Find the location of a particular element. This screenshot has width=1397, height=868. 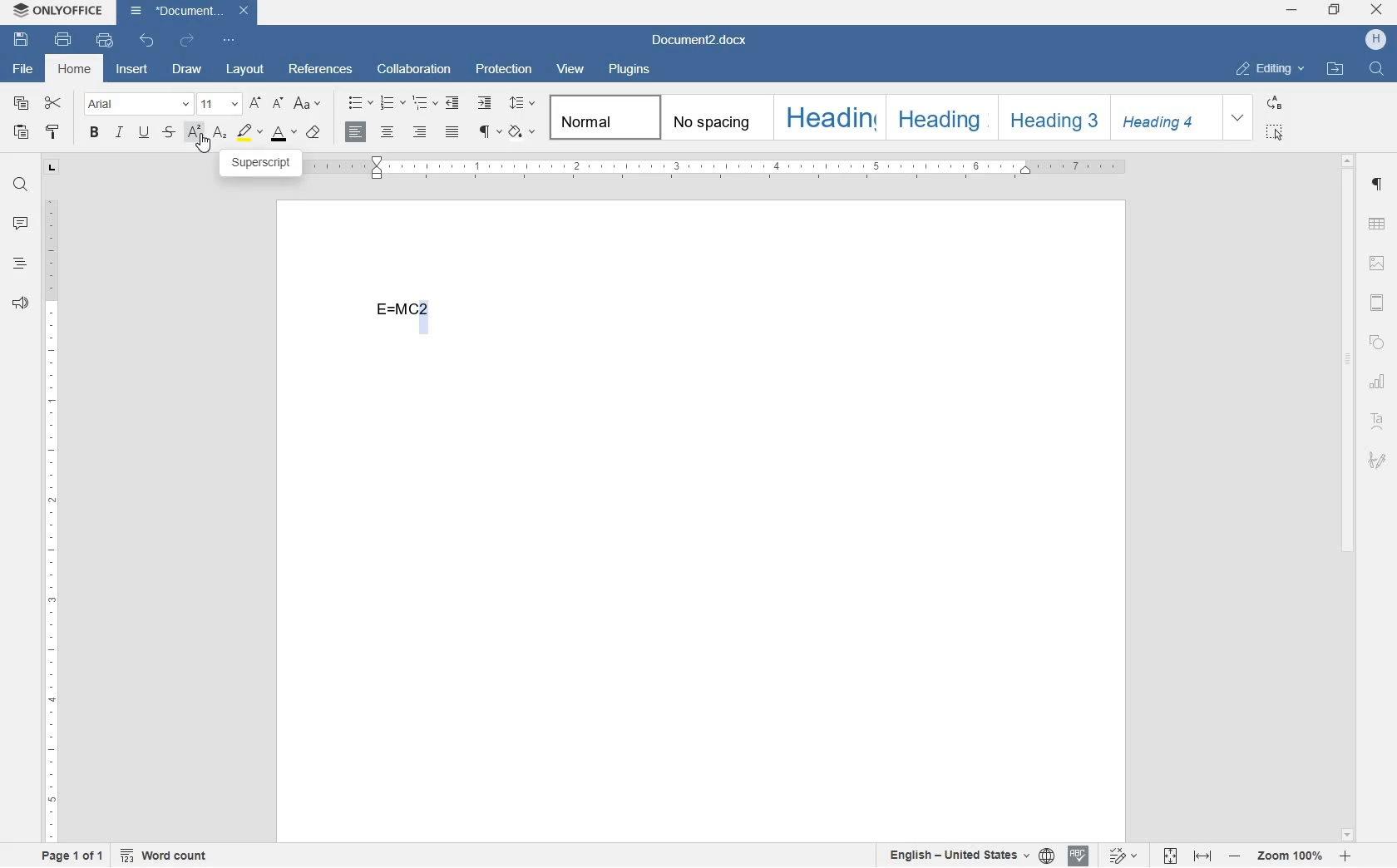

SUPERSCRIPT is located at coordinates (264, 165).